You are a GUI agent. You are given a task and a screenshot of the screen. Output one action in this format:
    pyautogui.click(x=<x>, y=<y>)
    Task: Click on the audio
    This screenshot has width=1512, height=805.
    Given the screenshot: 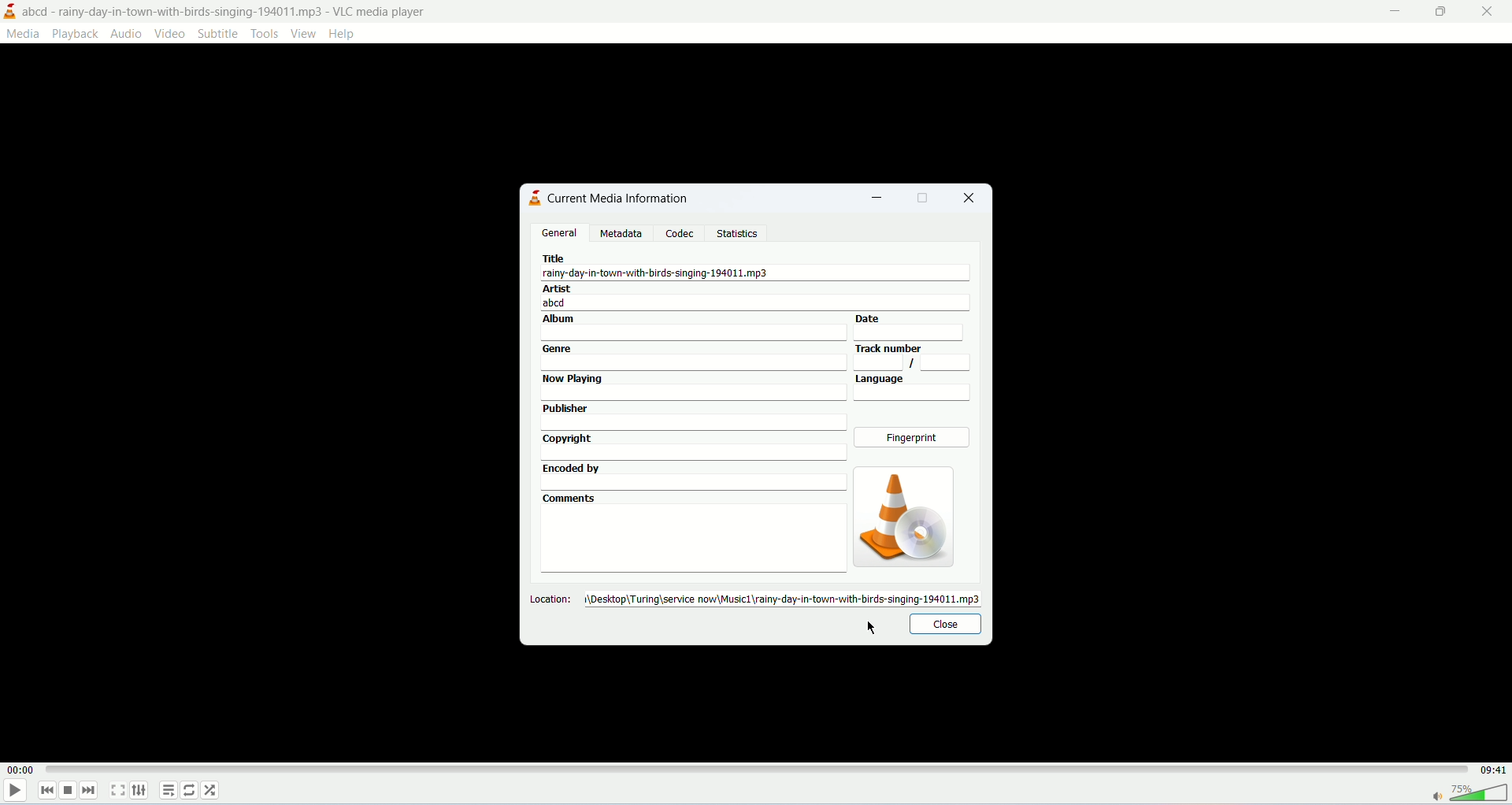 What is the action you would take?
    pyautogui.click(x=128, y=33)
    